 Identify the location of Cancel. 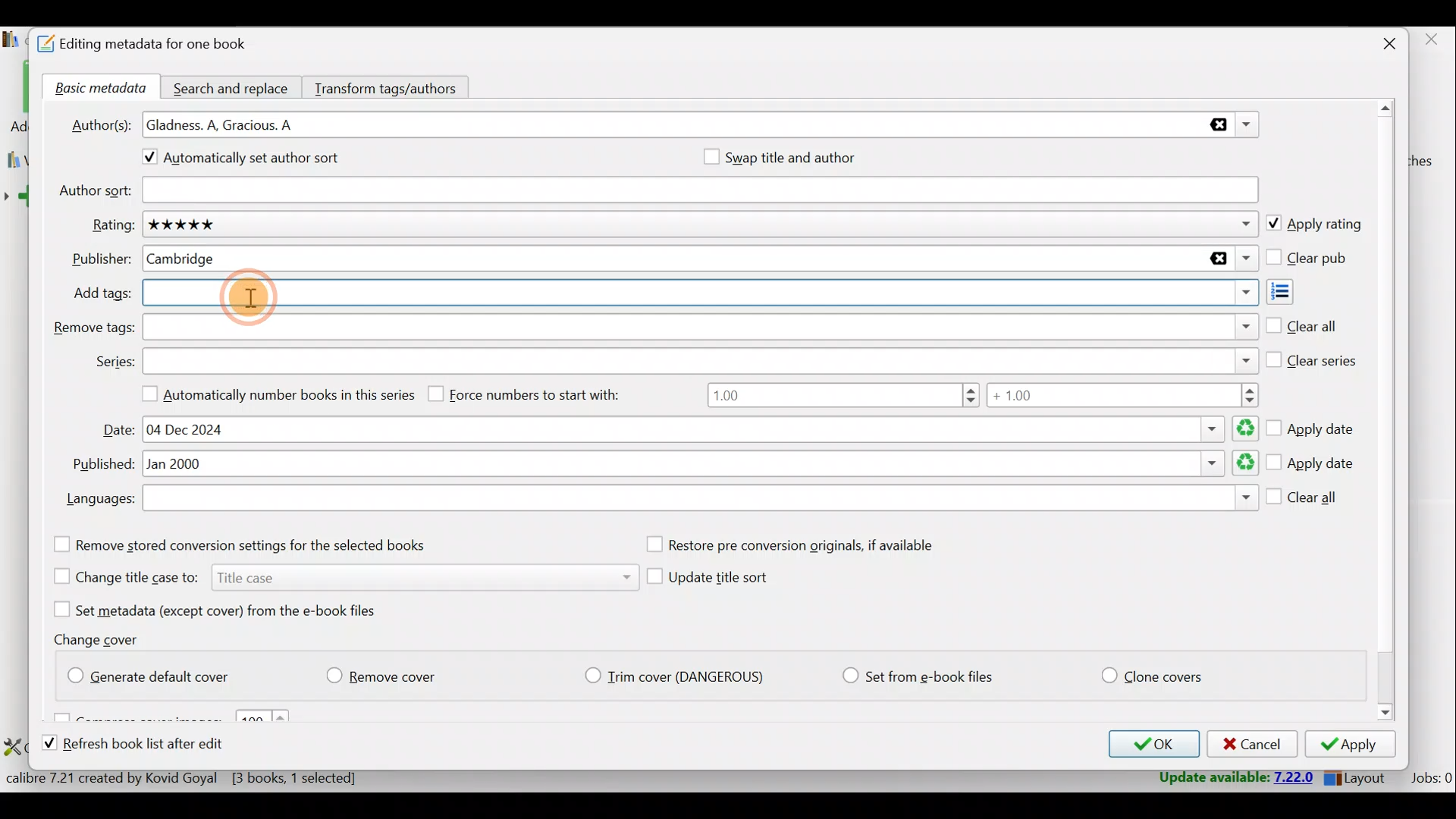
(1250, 745).